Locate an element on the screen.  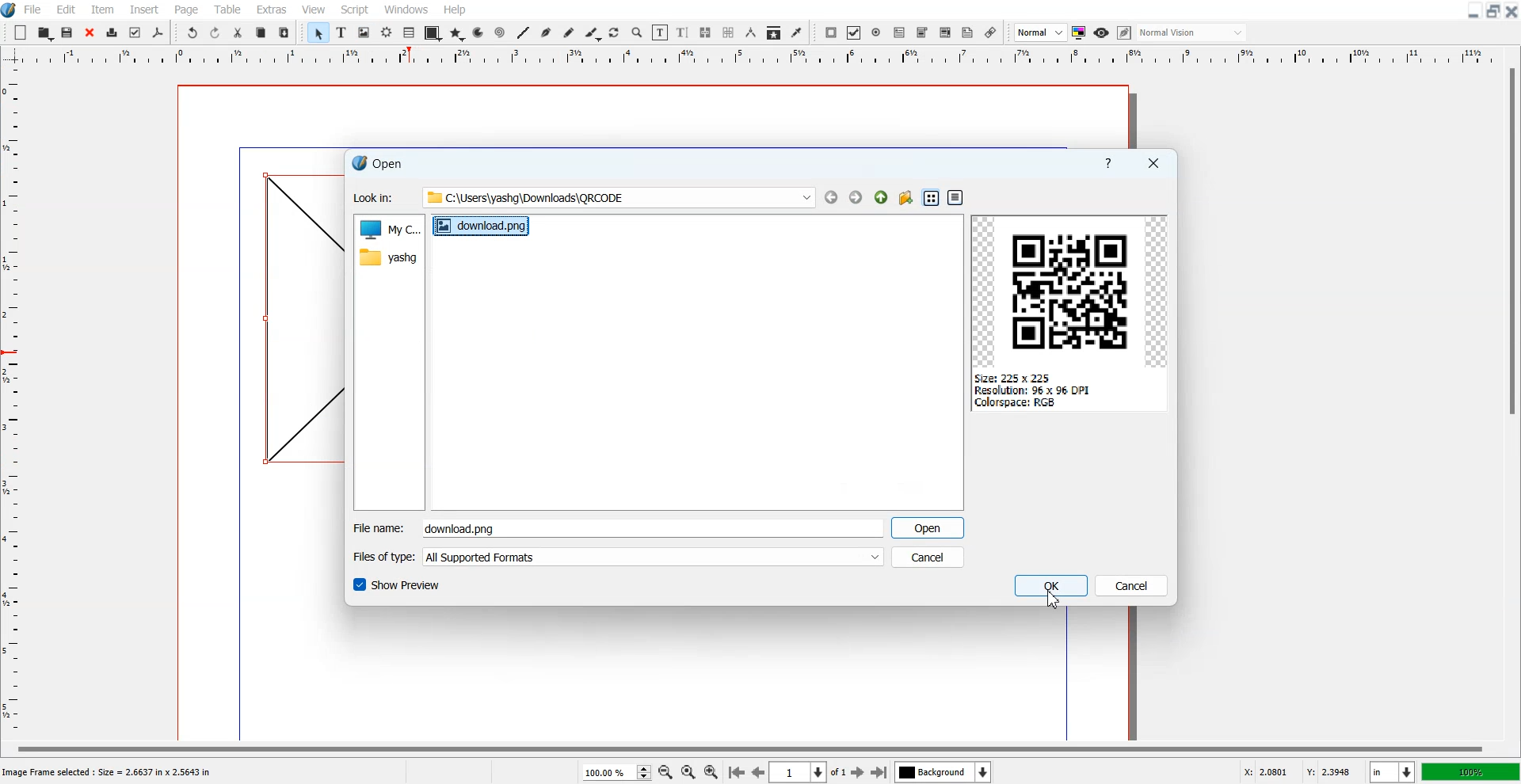
Copy is located at coordinates (261, 32).